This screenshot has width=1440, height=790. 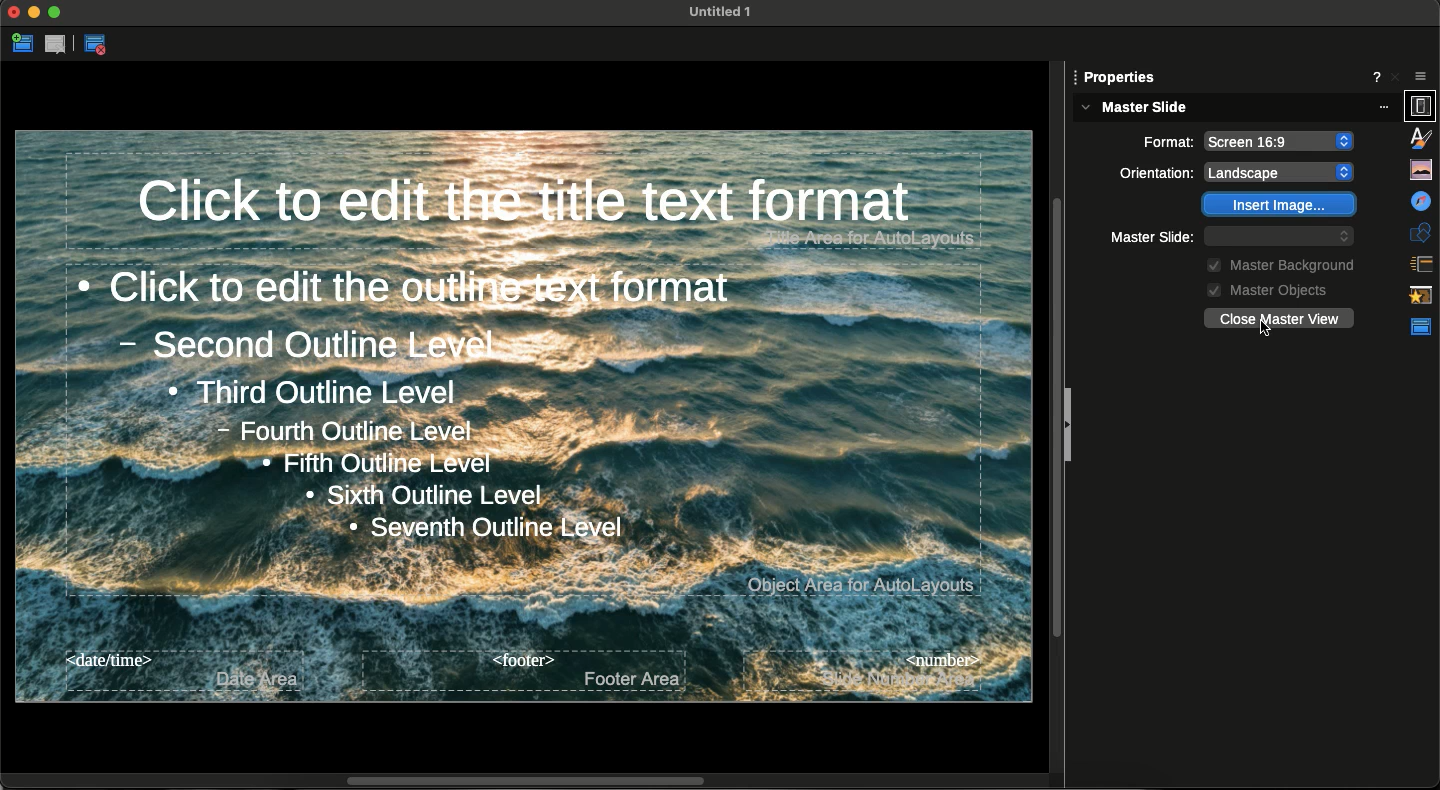 I want to click on Number, so click(x=863, y=670).